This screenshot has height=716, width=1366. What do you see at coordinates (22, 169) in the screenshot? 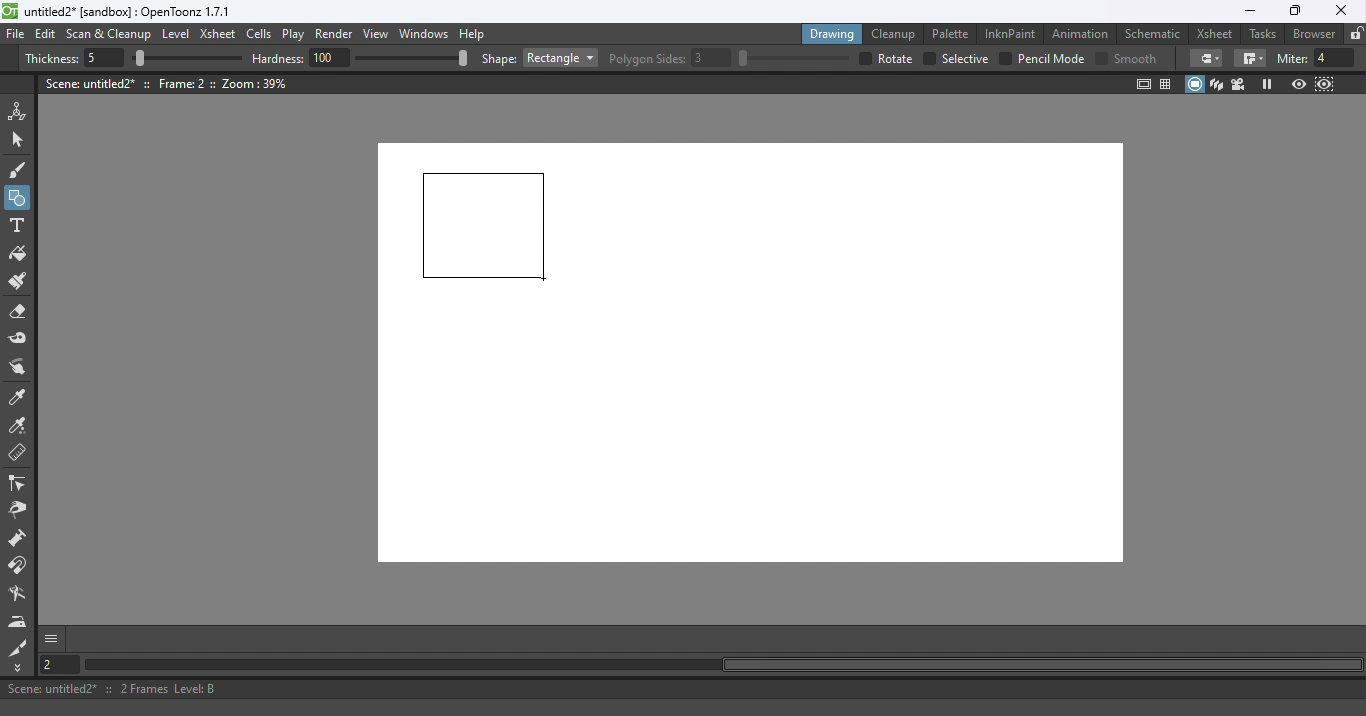
I see `Brush tool` at bounding box center [22, 169].